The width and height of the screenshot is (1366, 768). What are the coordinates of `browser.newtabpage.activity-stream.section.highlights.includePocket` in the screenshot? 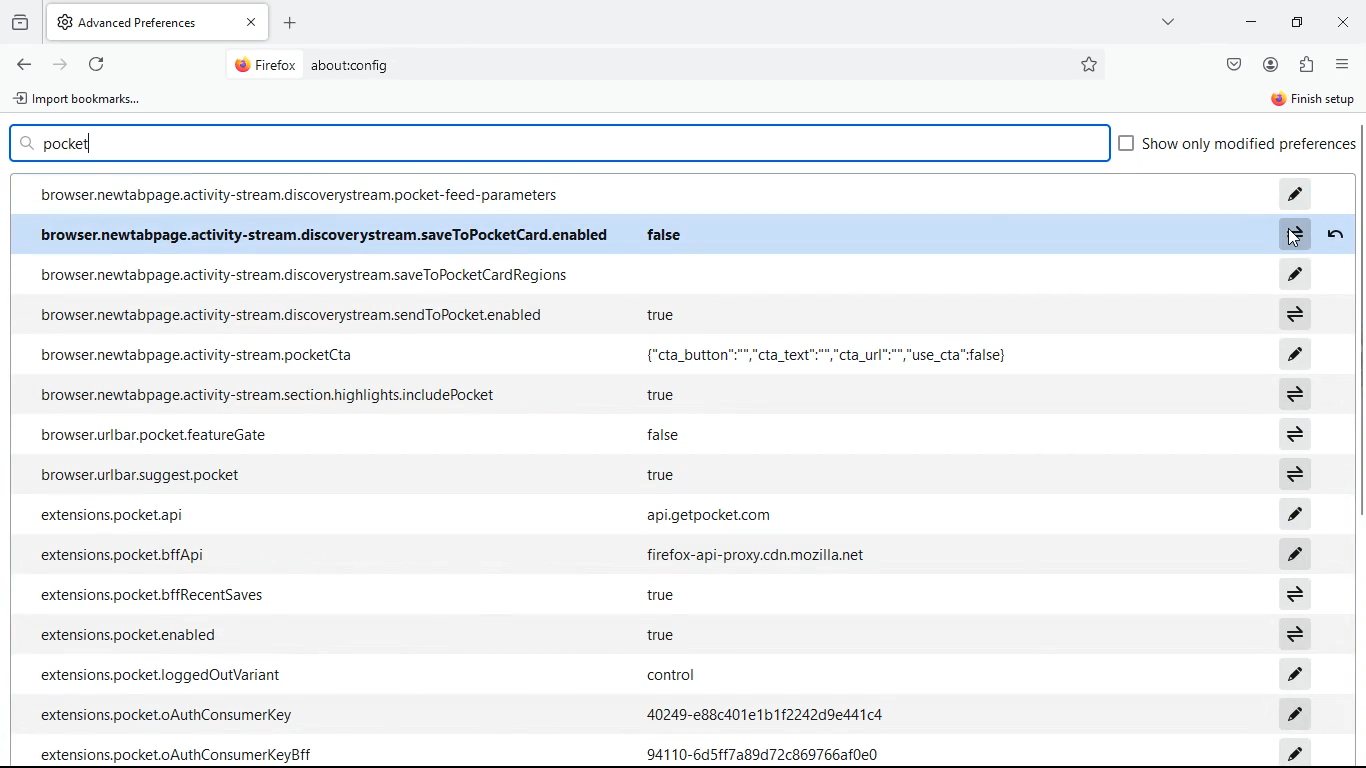 It's located at (264, 392).